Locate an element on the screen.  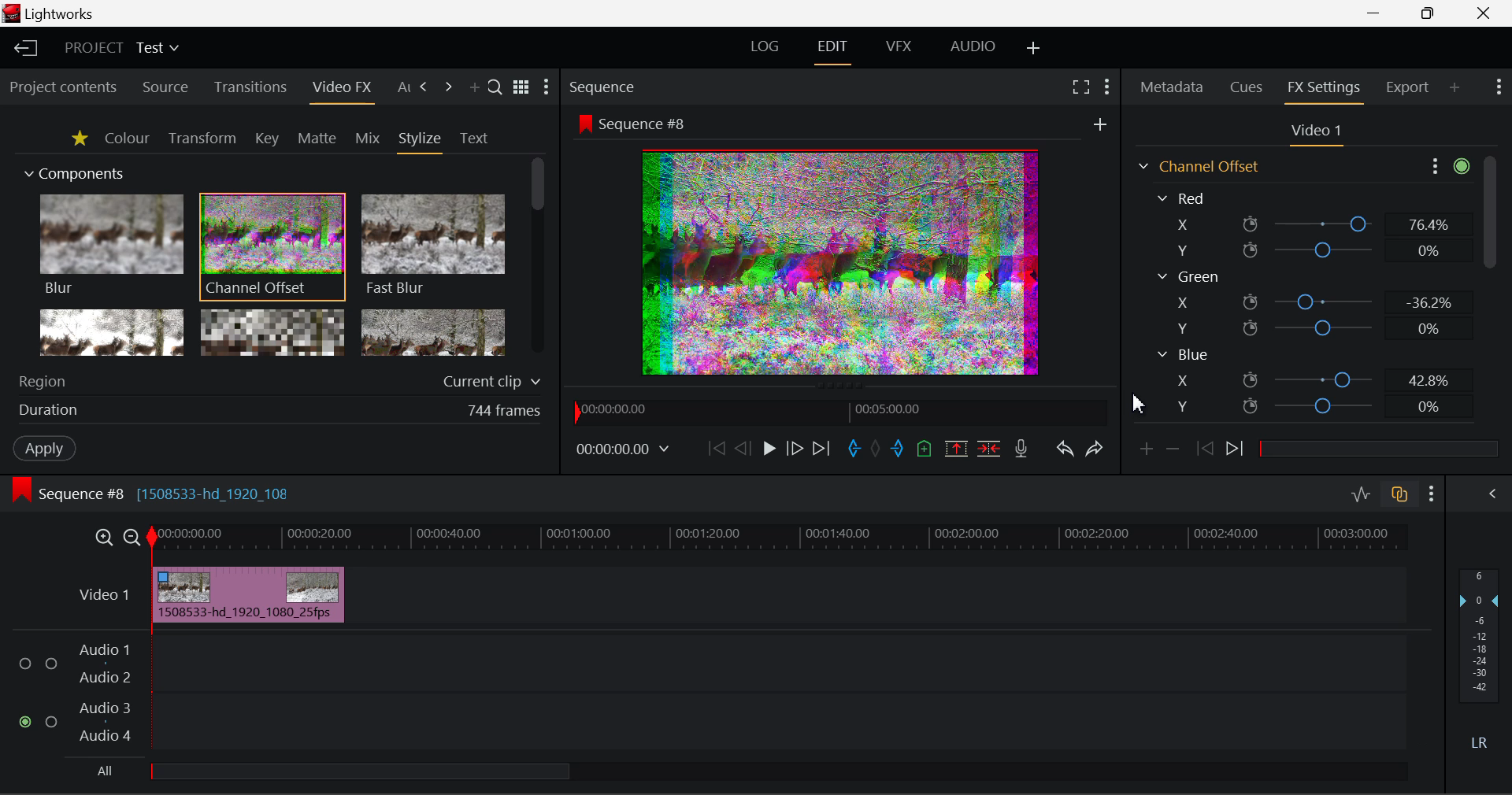
Undo is located at coordinates (1067, 451).